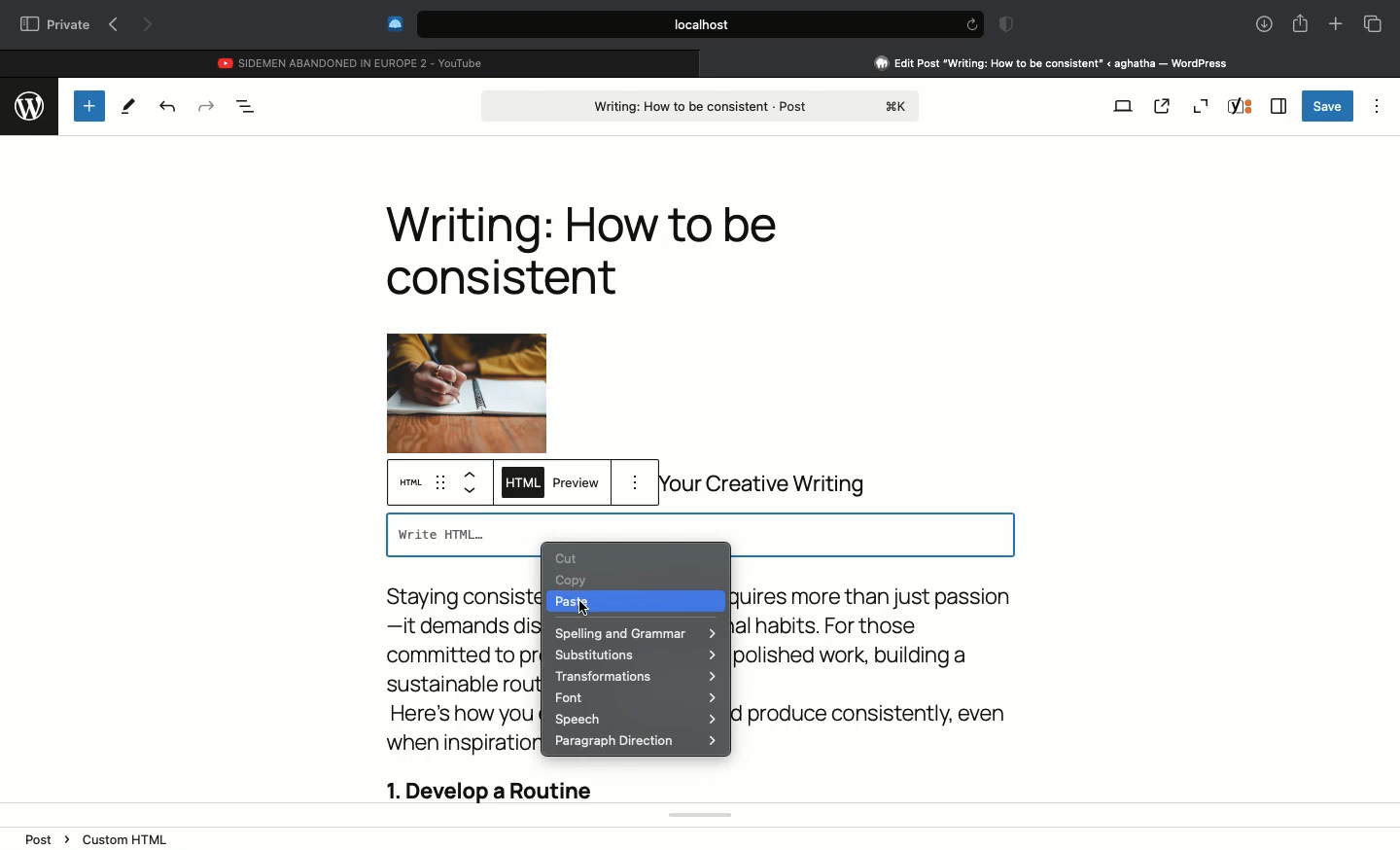  I want to click on New tab, so click(1336, 24).